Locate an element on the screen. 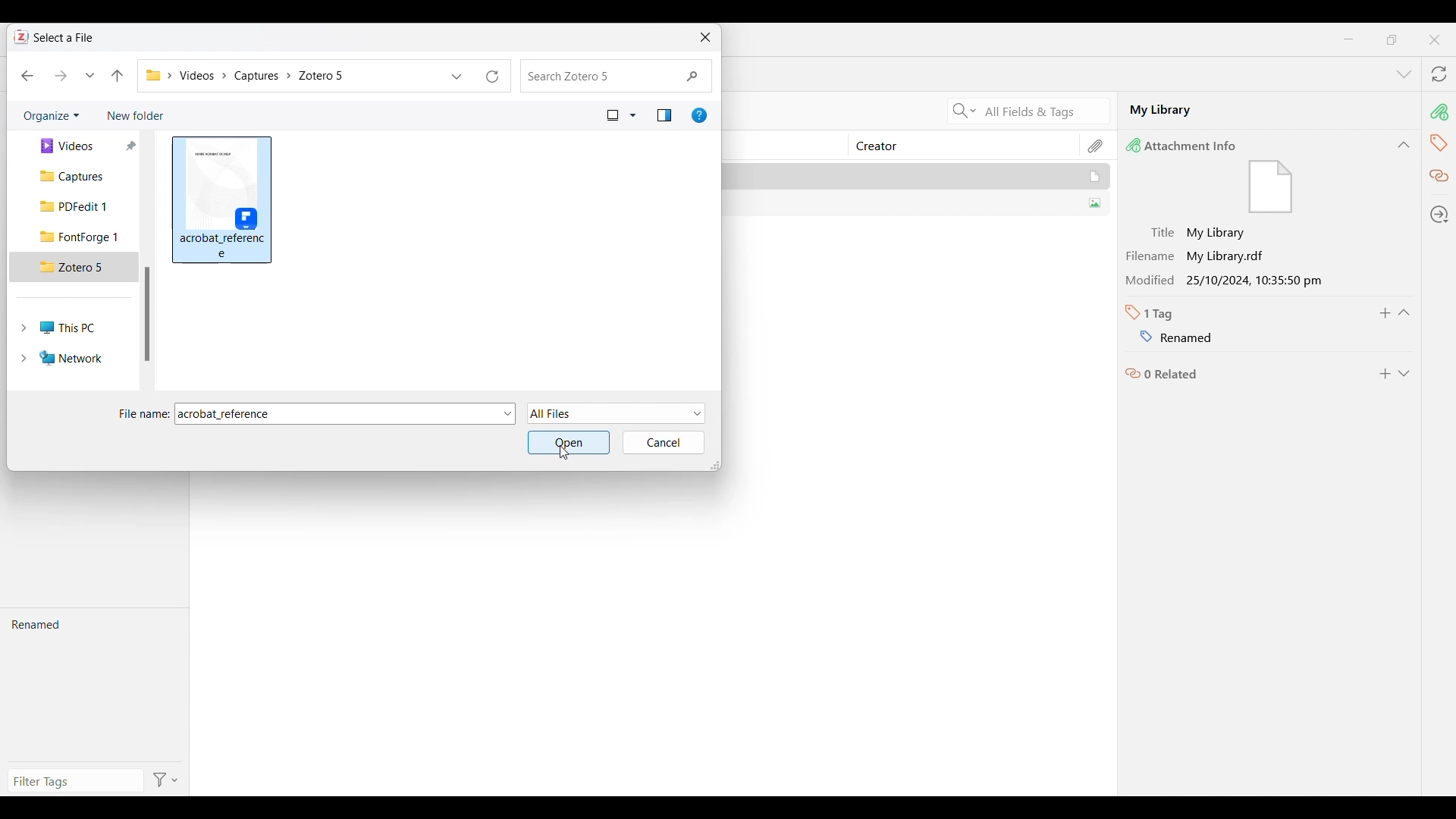  Videos folder is located at coordinates (78, 146).